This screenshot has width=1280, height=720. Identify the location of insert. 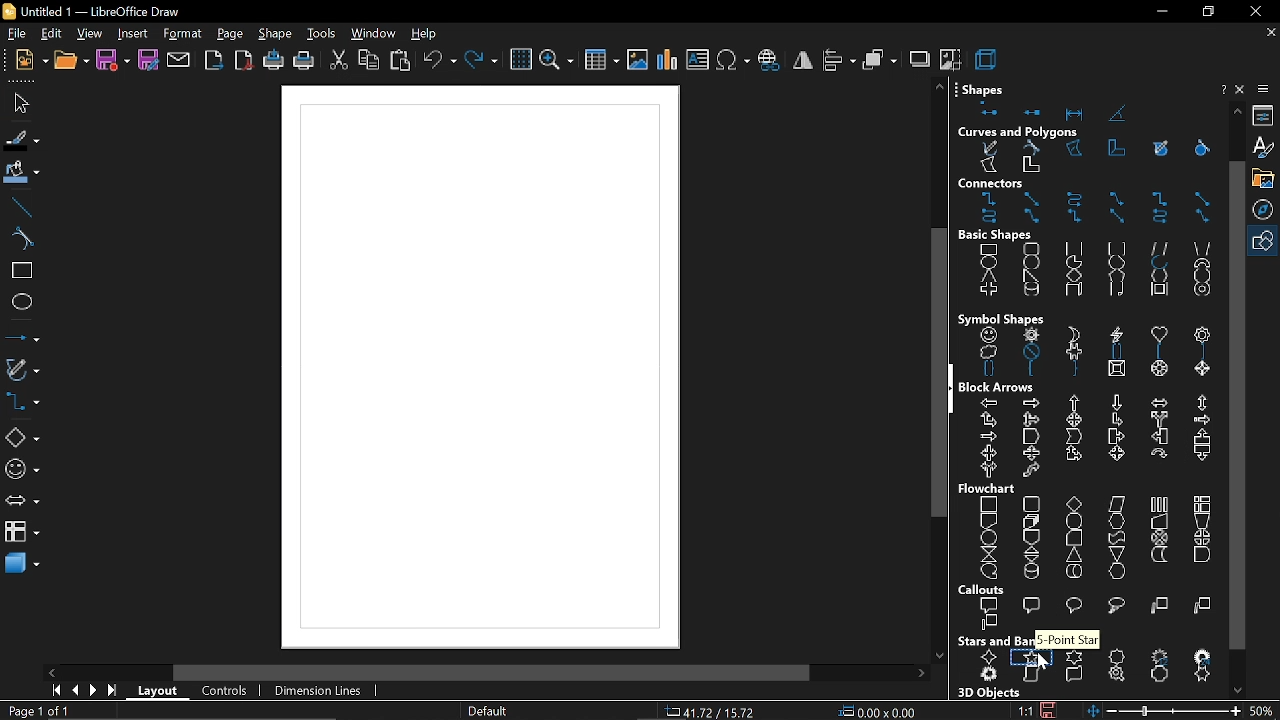
(130, 34).